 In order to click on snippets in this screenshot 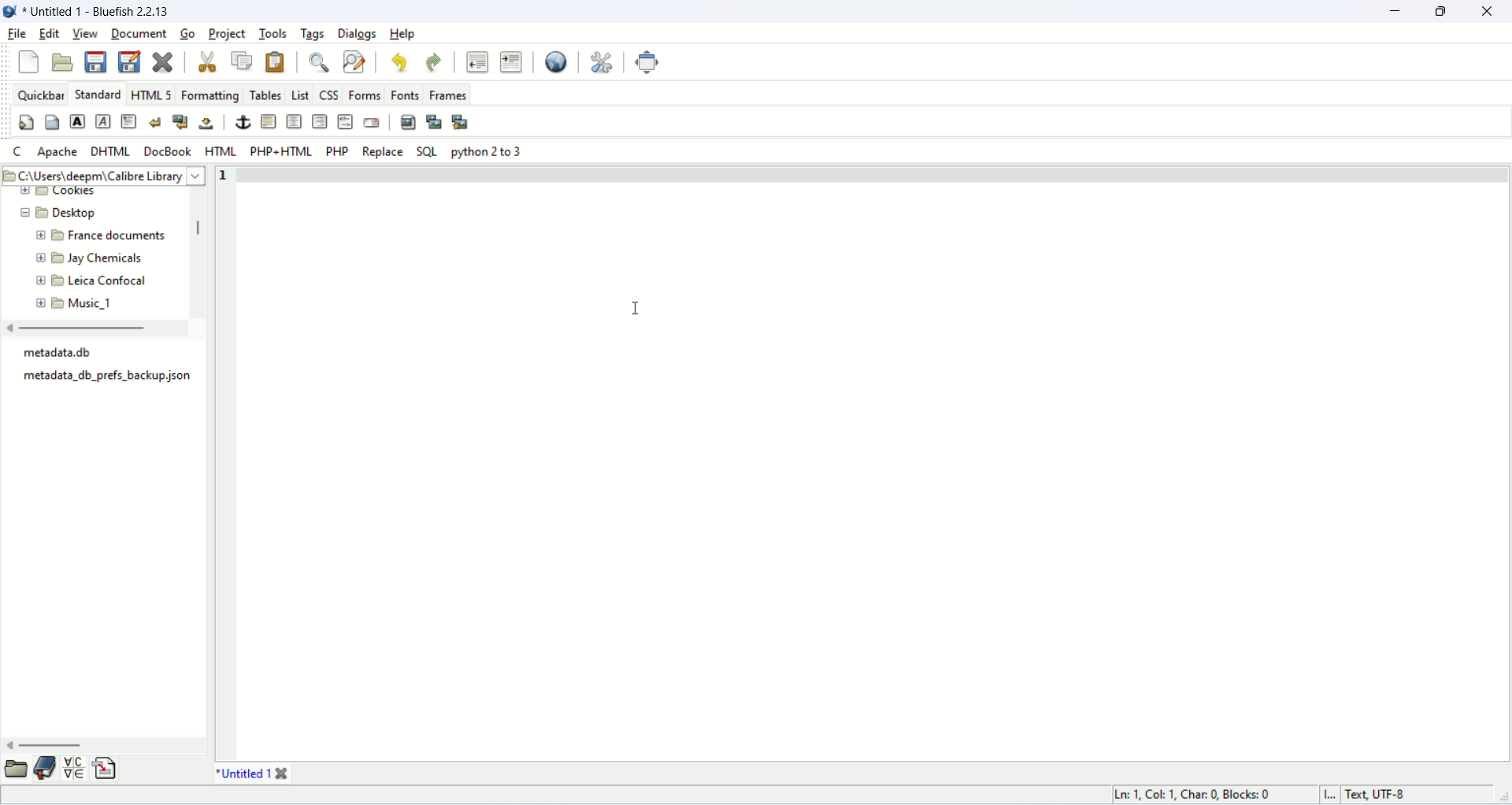, I will do `click(106, 769)`.